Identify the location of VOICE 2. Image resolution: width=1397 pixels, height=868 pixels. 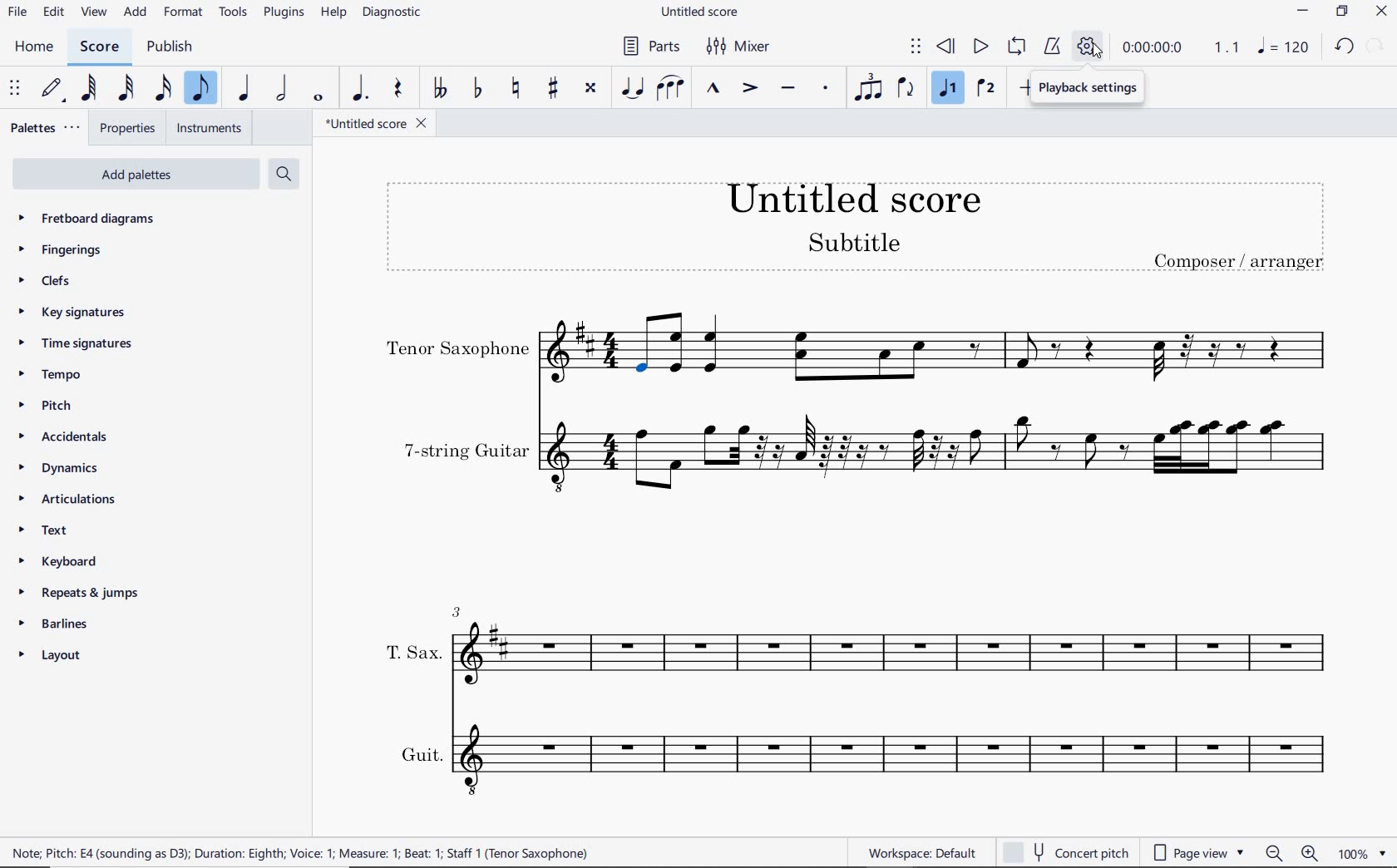
(988, 89).